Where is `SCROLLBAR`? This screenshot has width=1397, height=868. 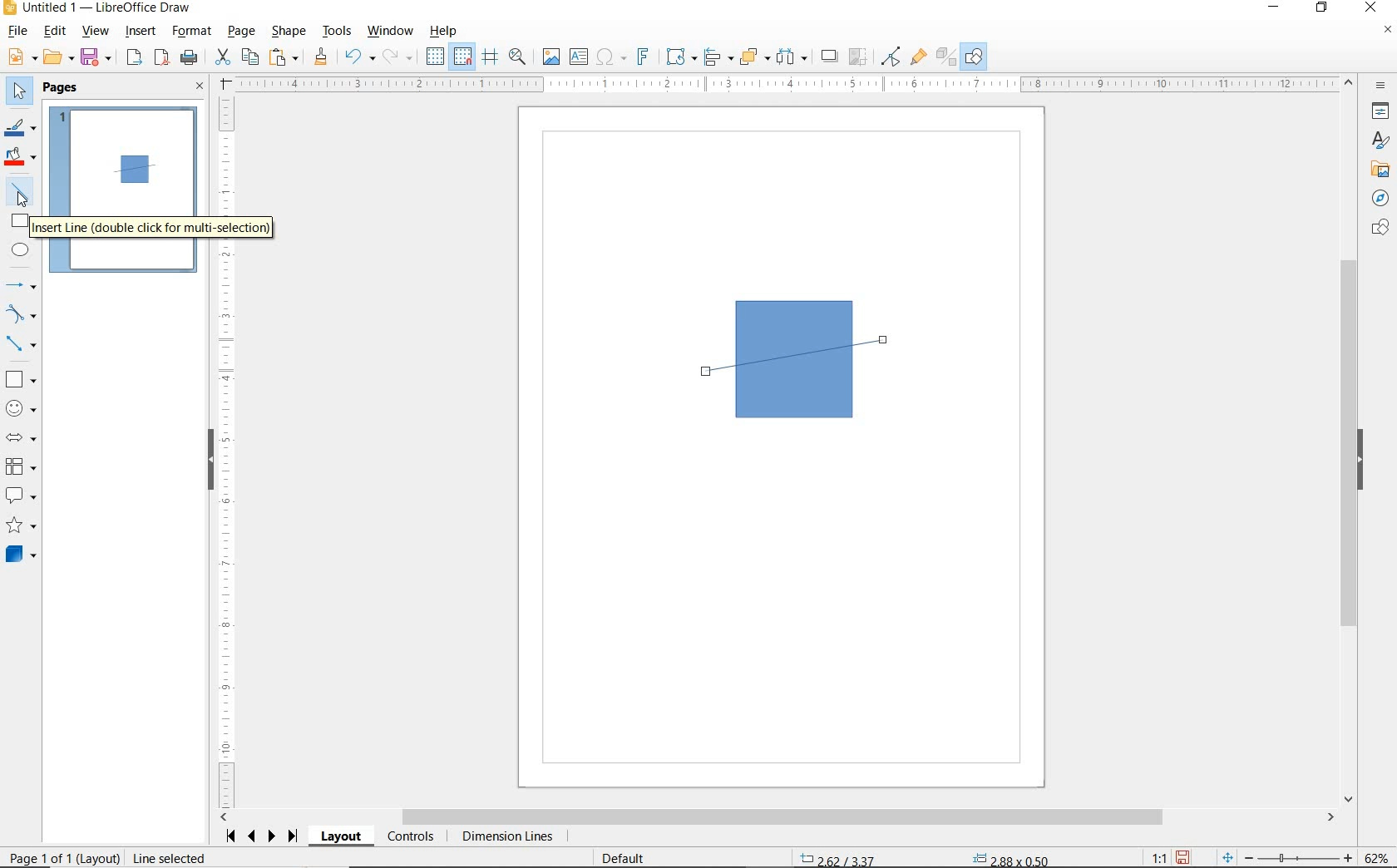
SCROLLBAR is located at coordinates (1351, 440).